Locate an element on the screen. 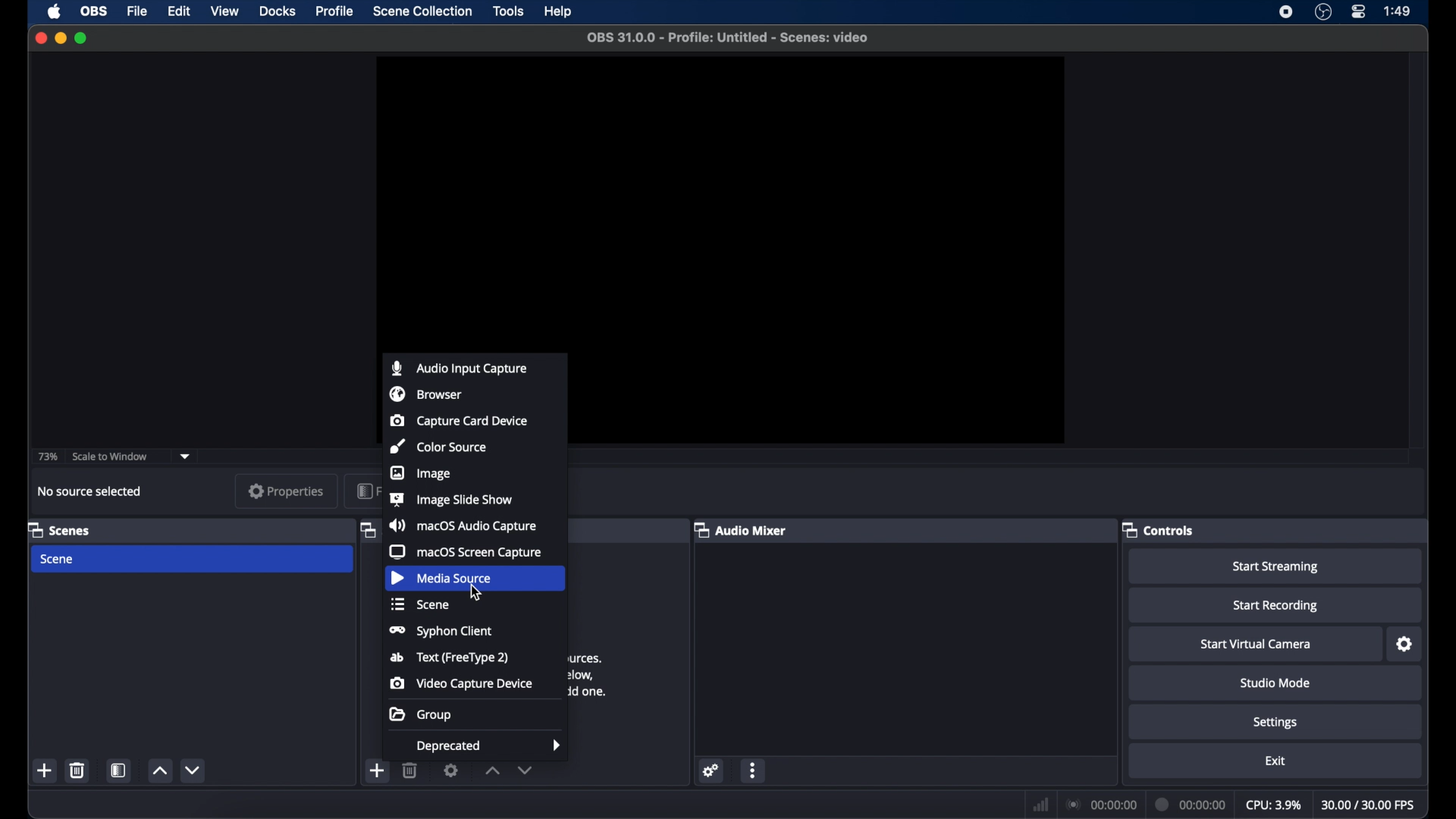  studio mode is located at coordinates (1277, 683).